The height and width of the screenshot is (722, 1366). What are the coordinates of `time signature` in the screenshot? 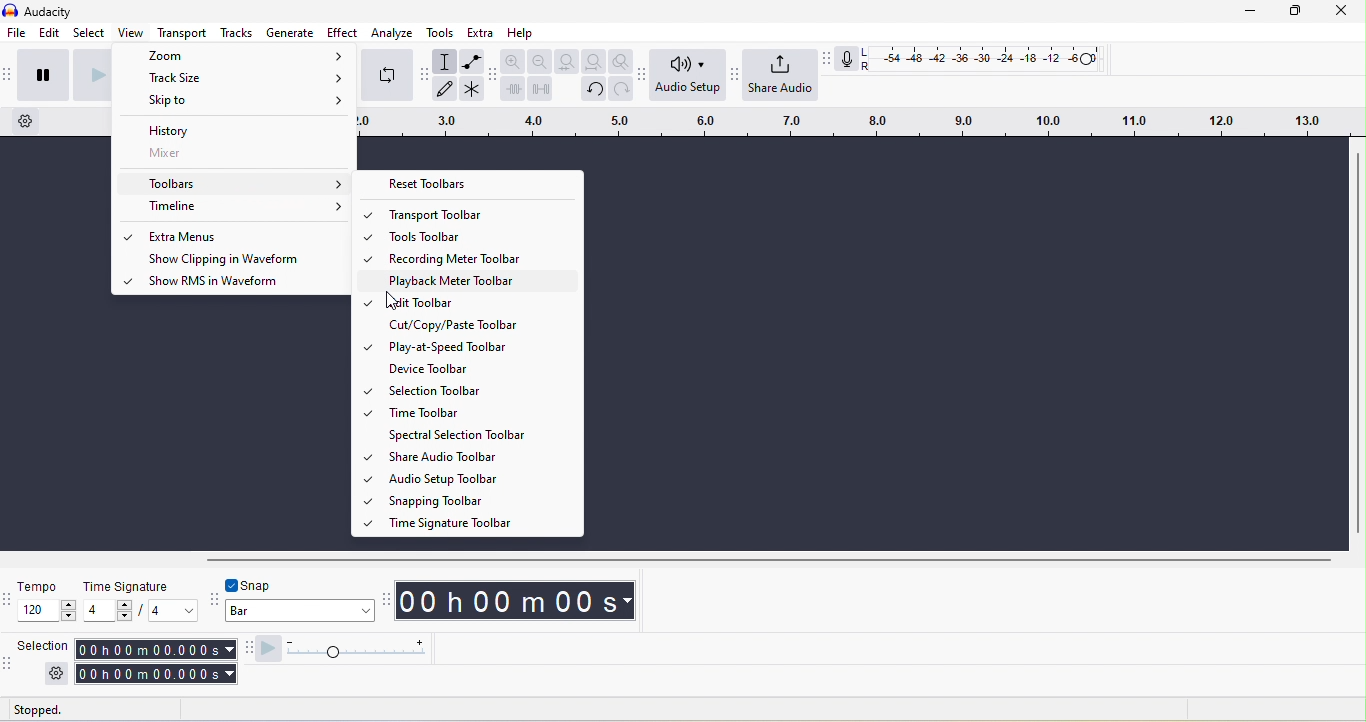 It's located at (128, 587).